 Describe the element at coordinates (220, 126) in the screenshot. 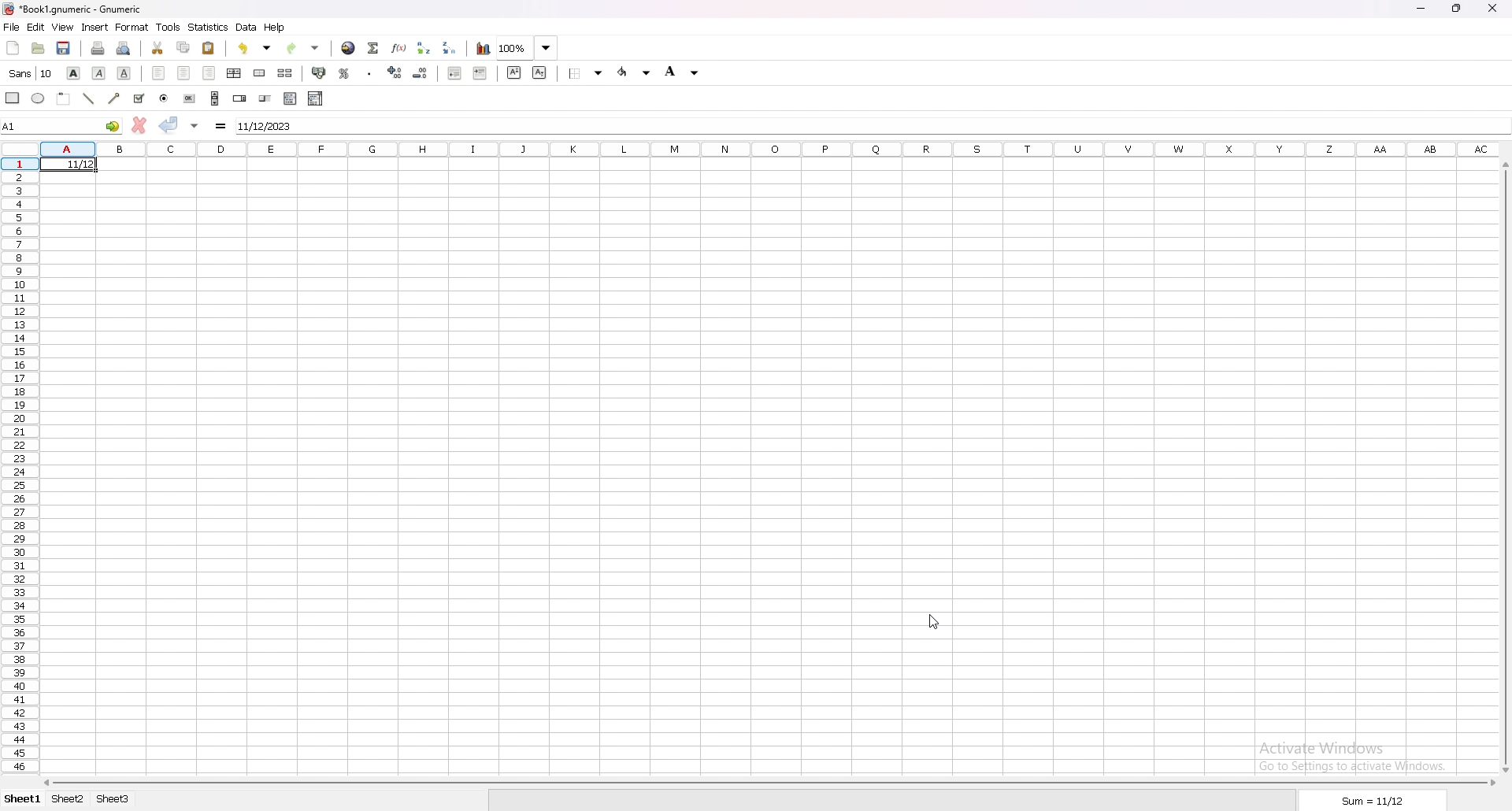

I see `formula` at that location.